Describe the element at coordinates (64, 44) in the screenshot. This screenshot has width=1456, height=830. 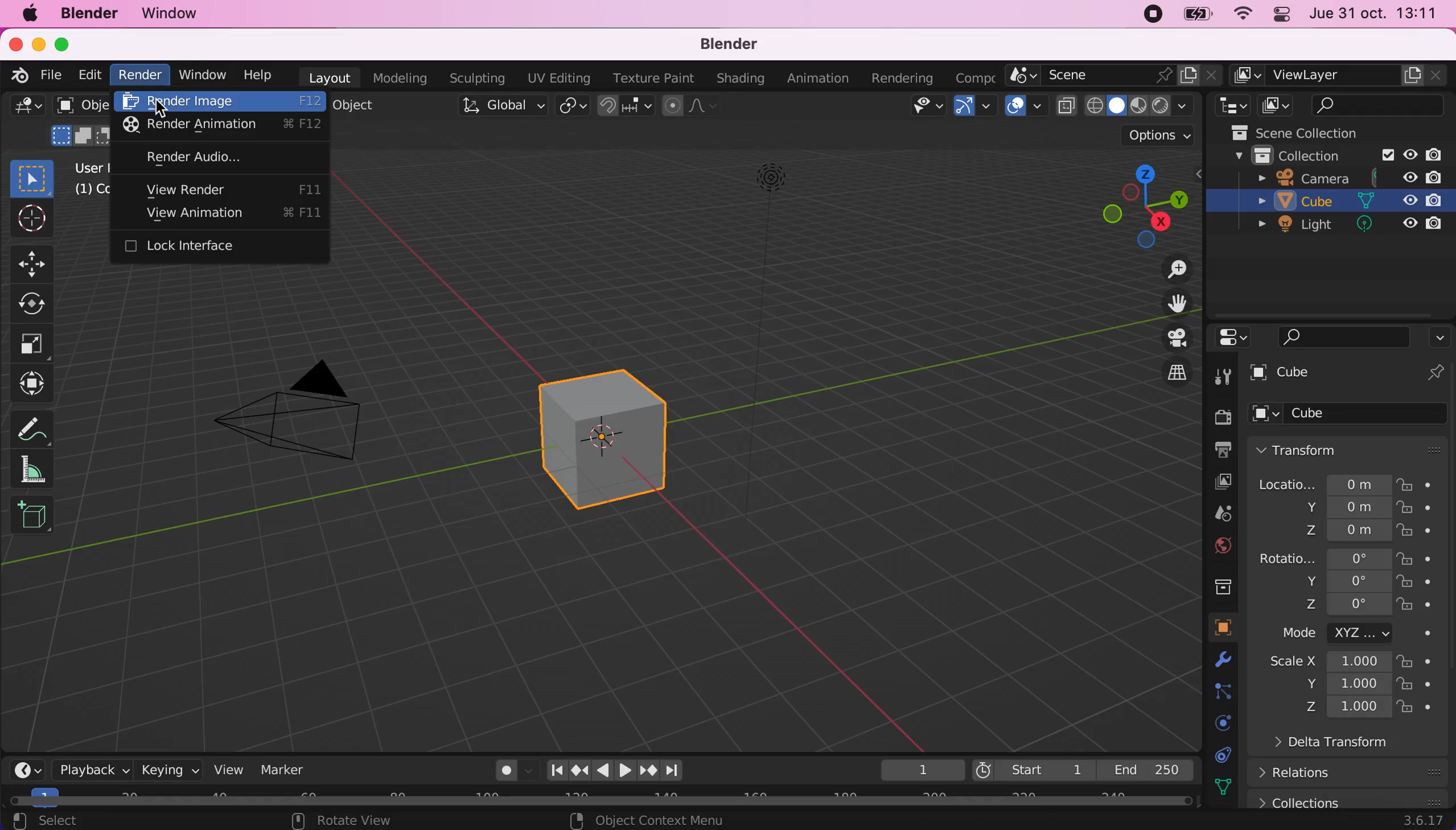
I see `maximize` at that location.